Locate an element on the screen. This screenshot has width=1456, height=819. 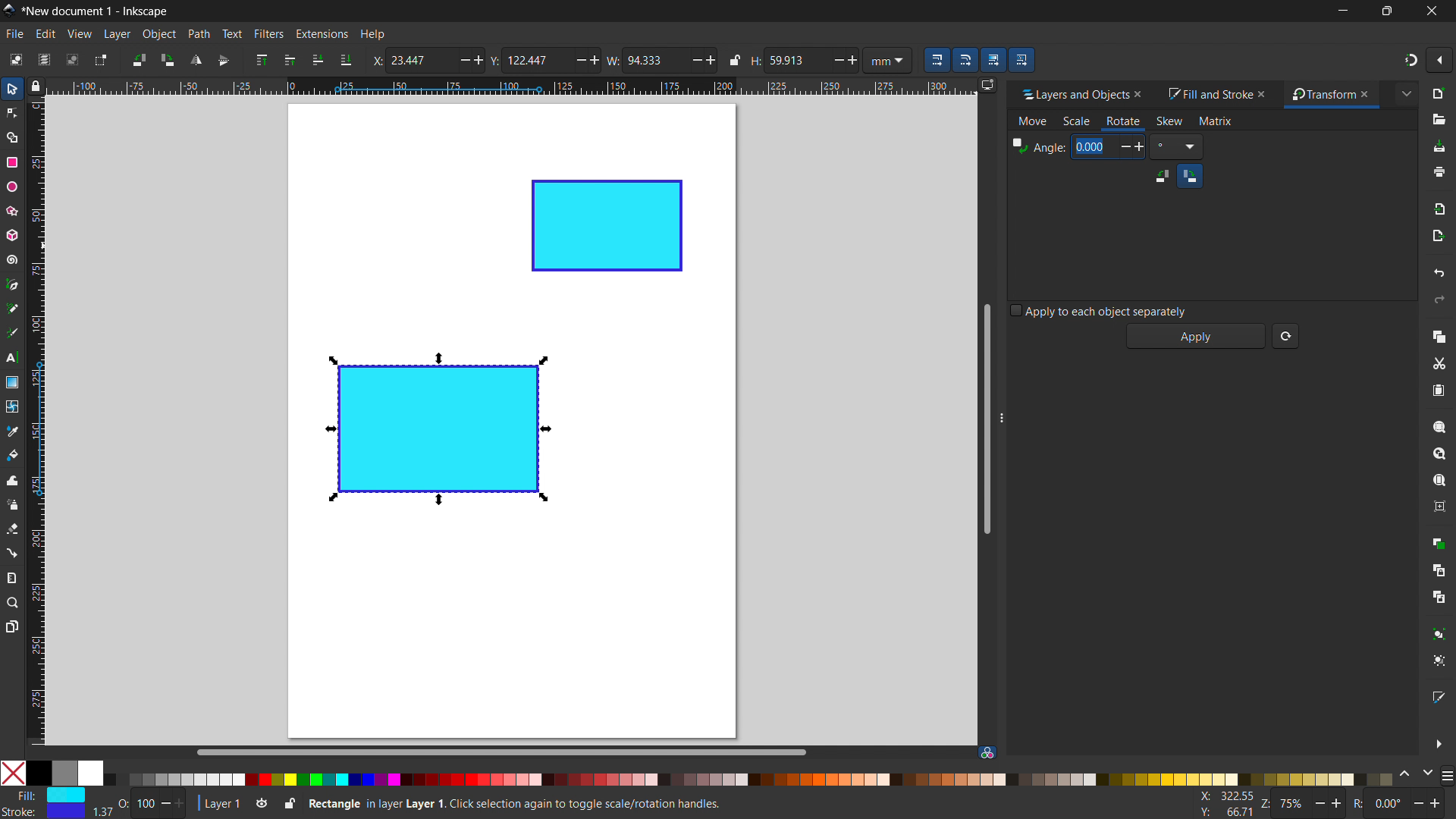
Y: 122.447 is located at coordinates (526, 60).